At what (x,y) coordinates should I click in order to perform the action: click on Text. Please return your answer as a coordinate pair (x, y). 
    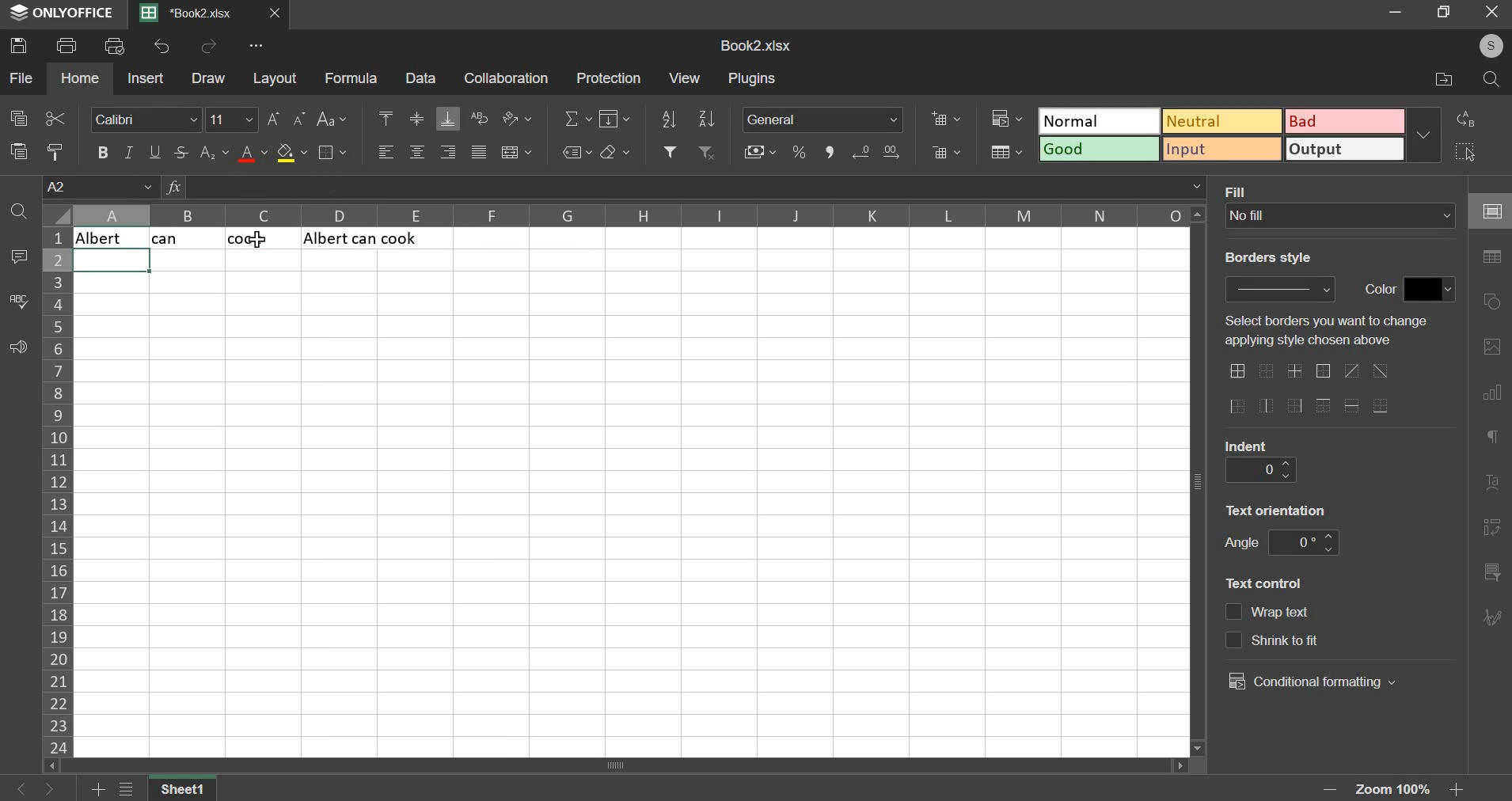
    Looking at the image, I should click on (256, 237).